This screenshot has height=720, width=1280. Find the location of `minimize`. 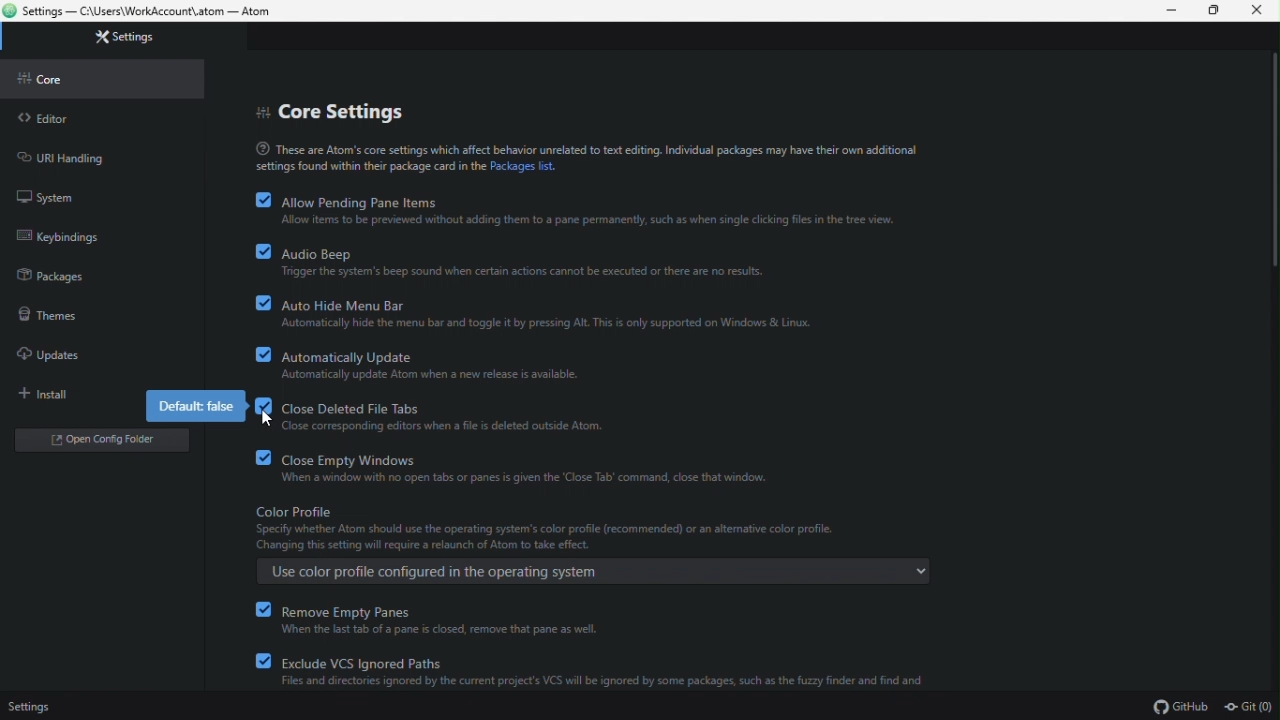

minimize is located at coordinates (1170, 13).